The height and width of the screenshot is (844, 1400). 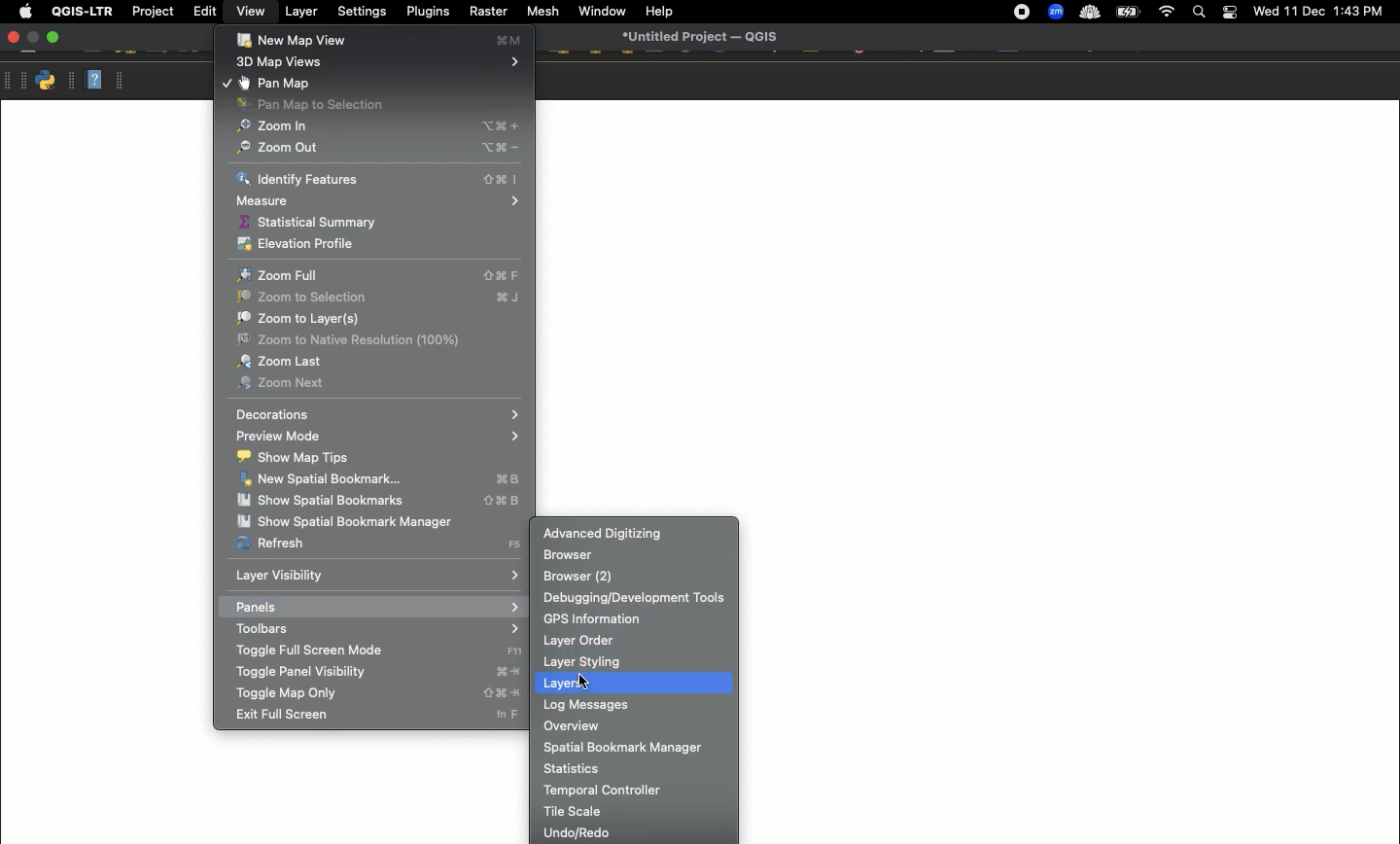 What do you see at coordinates (639, 790) in the screenshot?
I see `Temporary controller` at bounding box center [639, 790].